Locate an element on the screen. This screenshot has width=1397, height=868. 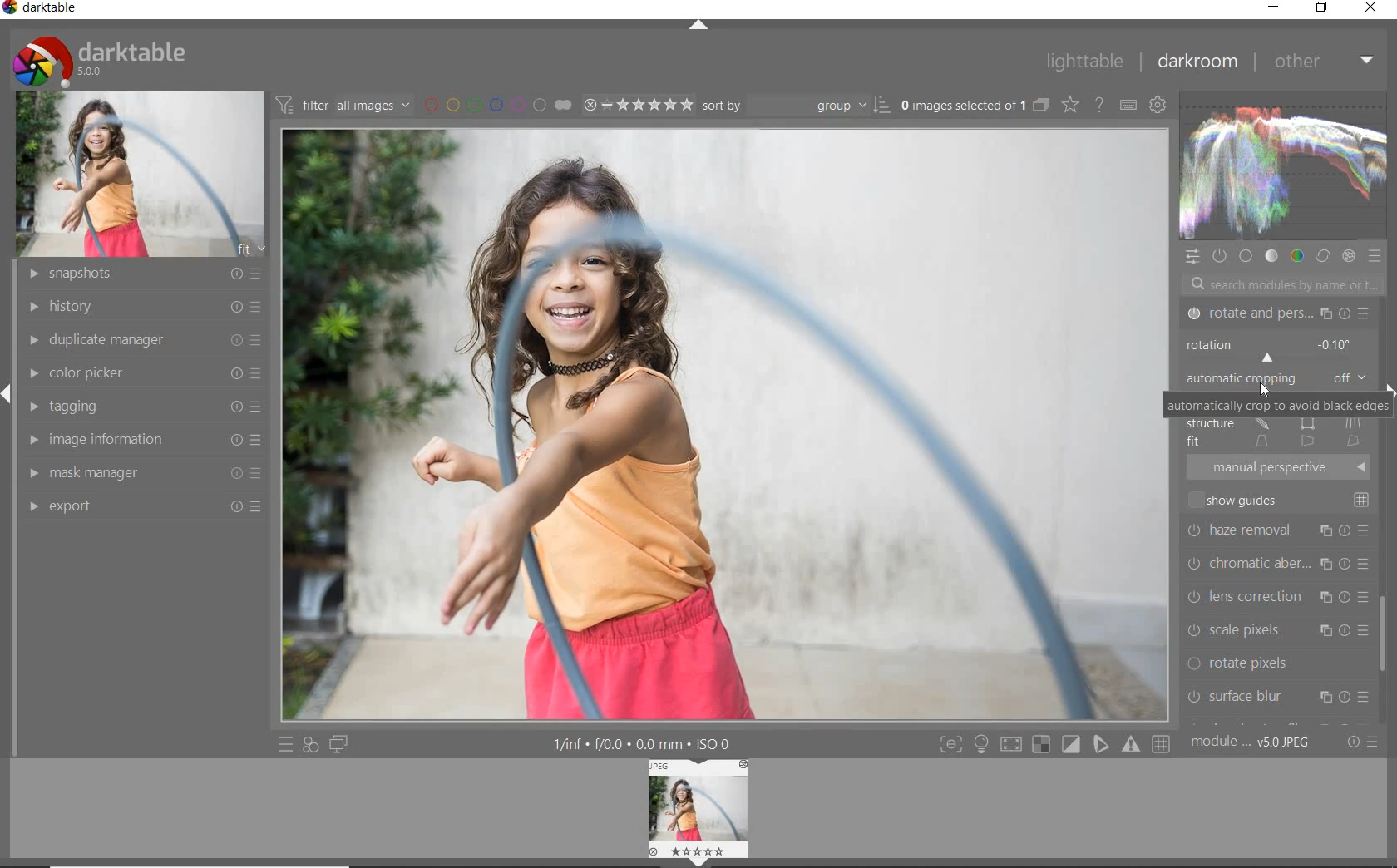
search modules is located at coordinates (1277, 286).